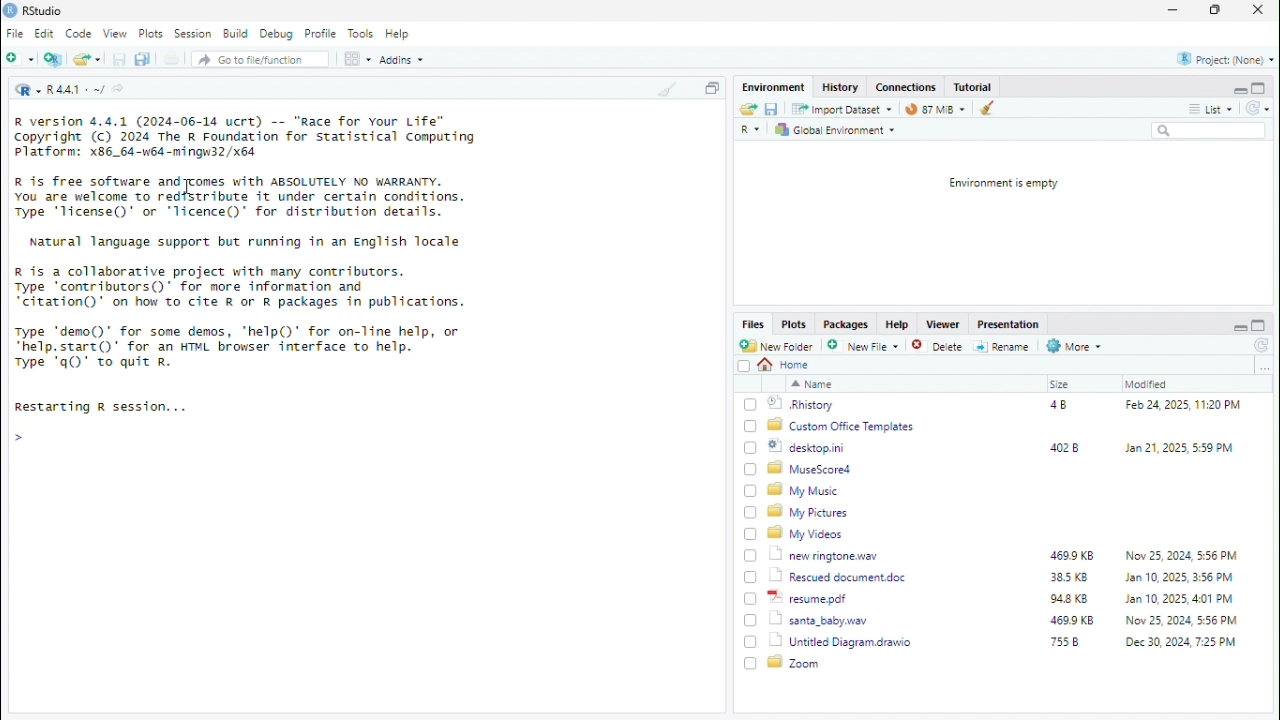 This screenshot has width=1280, height=720. Describe the element at coordinates (359, 58) in the screenshot. I see `code view` at that location.